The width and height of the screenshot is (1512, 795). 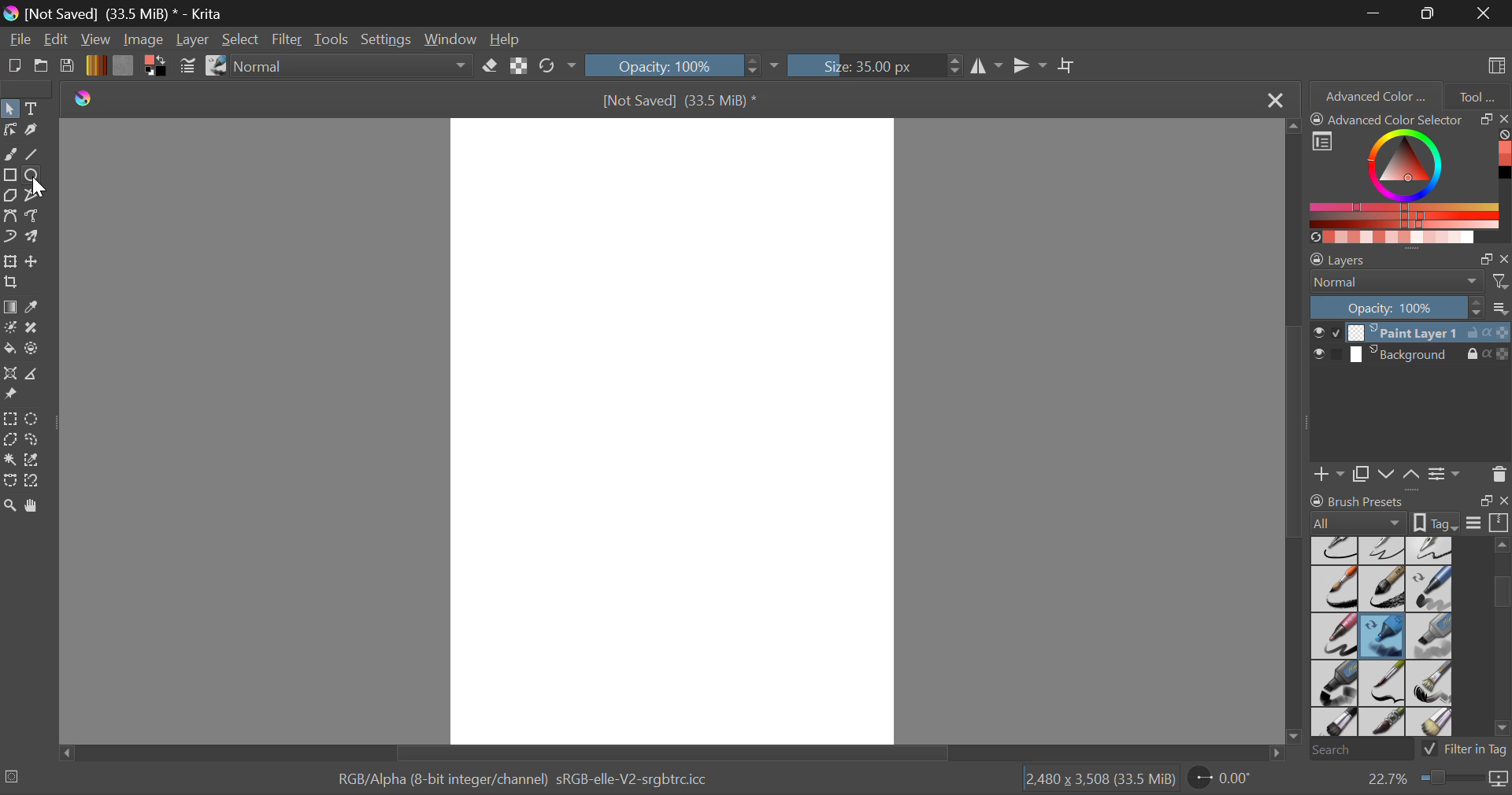 What do you see at coordinates (1410, 282) in the screenshot?
I see `Blending Mode` at bounding box center [1410, 282].